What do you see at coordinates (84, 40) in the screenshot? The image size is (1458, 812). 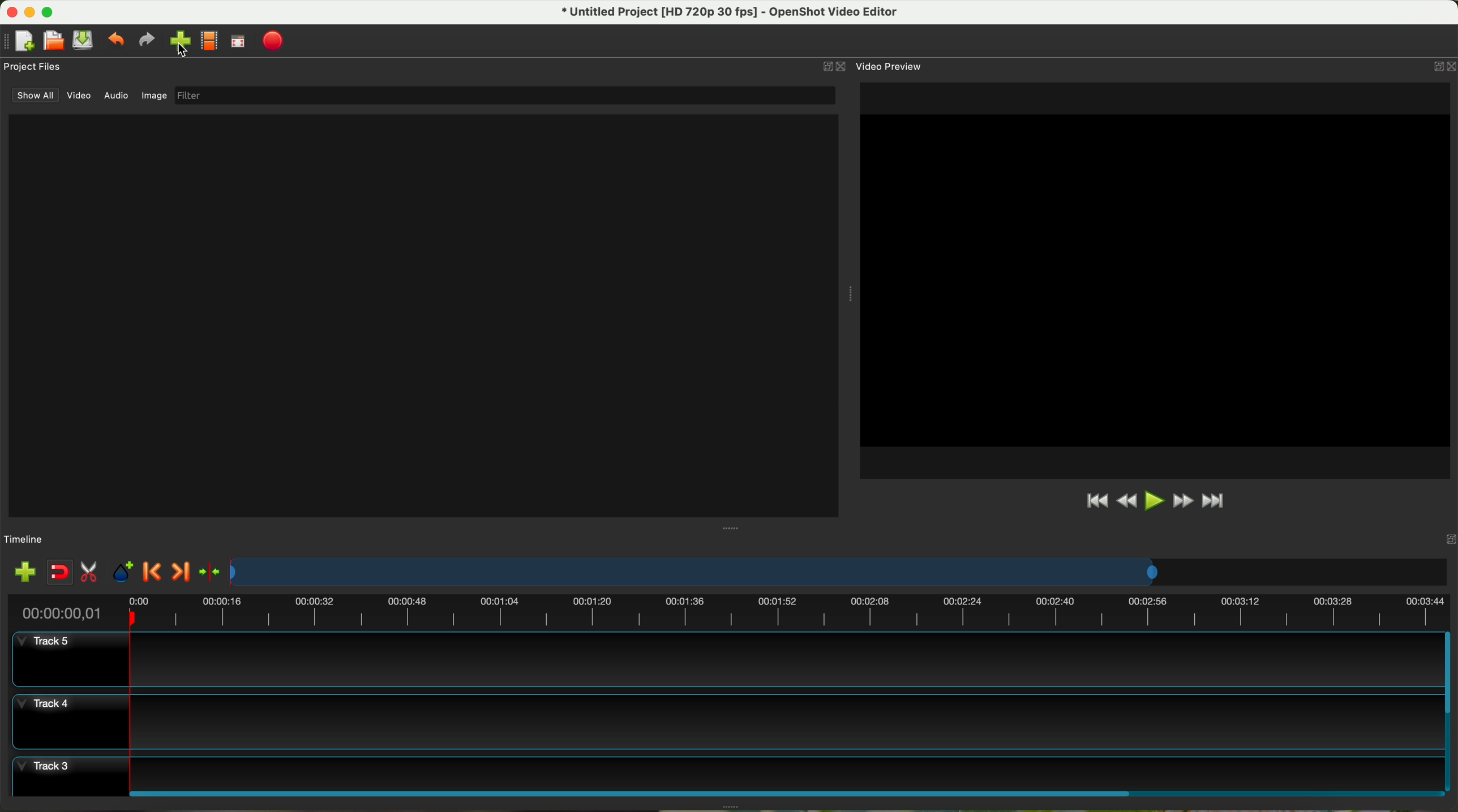 I see `save project` at bounding box center [84, 40].